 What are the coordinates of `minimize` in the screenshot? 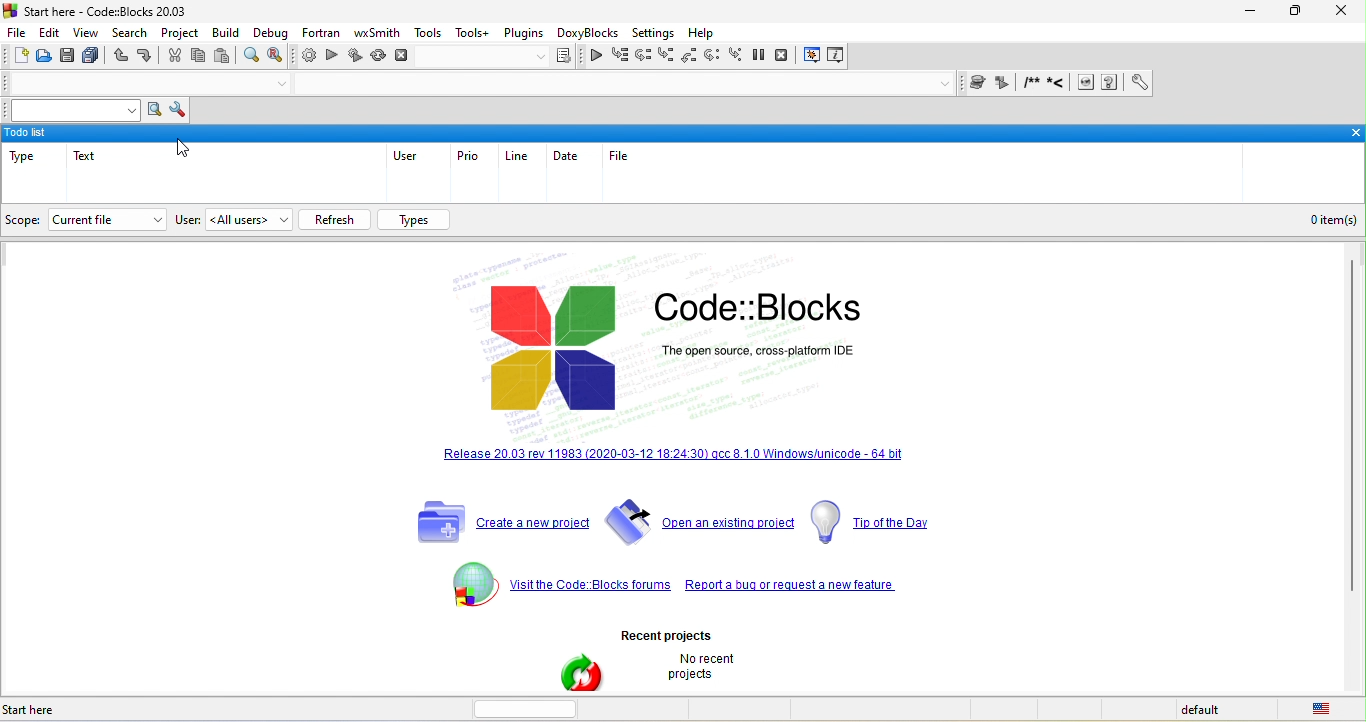 It's located at (1256, 11).